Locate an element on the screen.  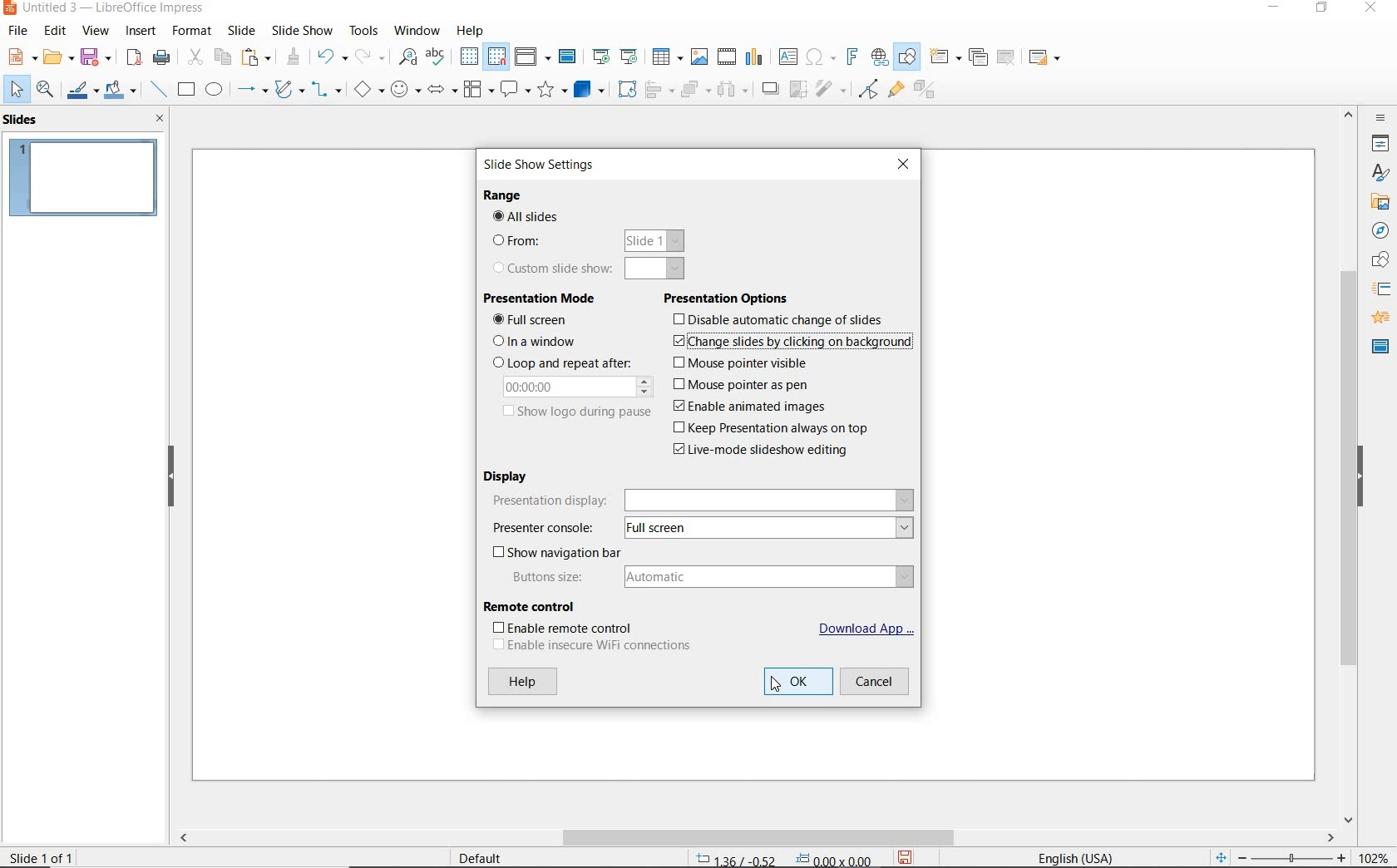
DISPLAY GRID is located at coordinates (470, 57).